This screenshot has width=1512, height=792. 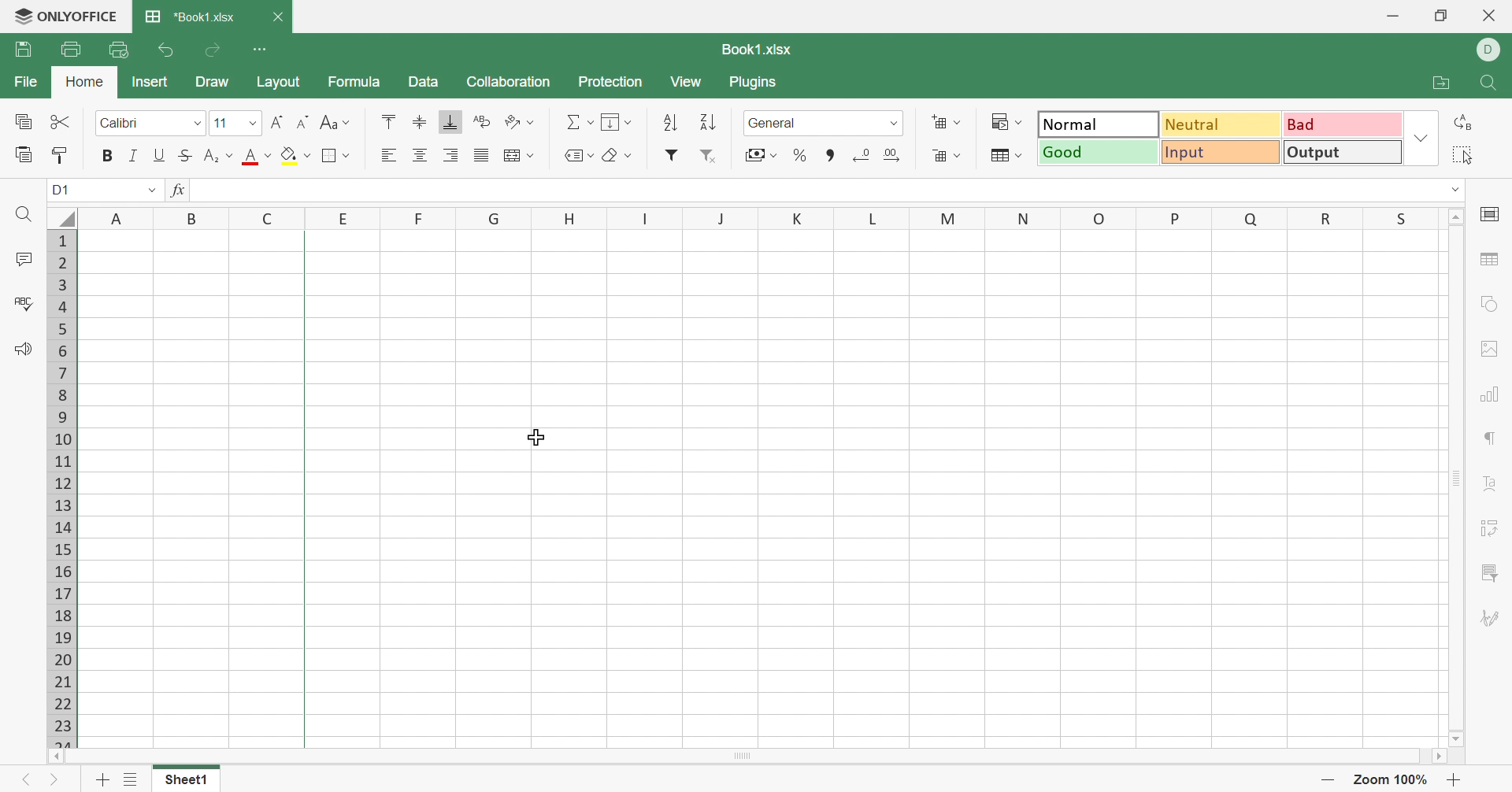 What do you see at coordinates (957, 156) in the screenshot?
I see `Drop Down` at bounding box center [957, 156].